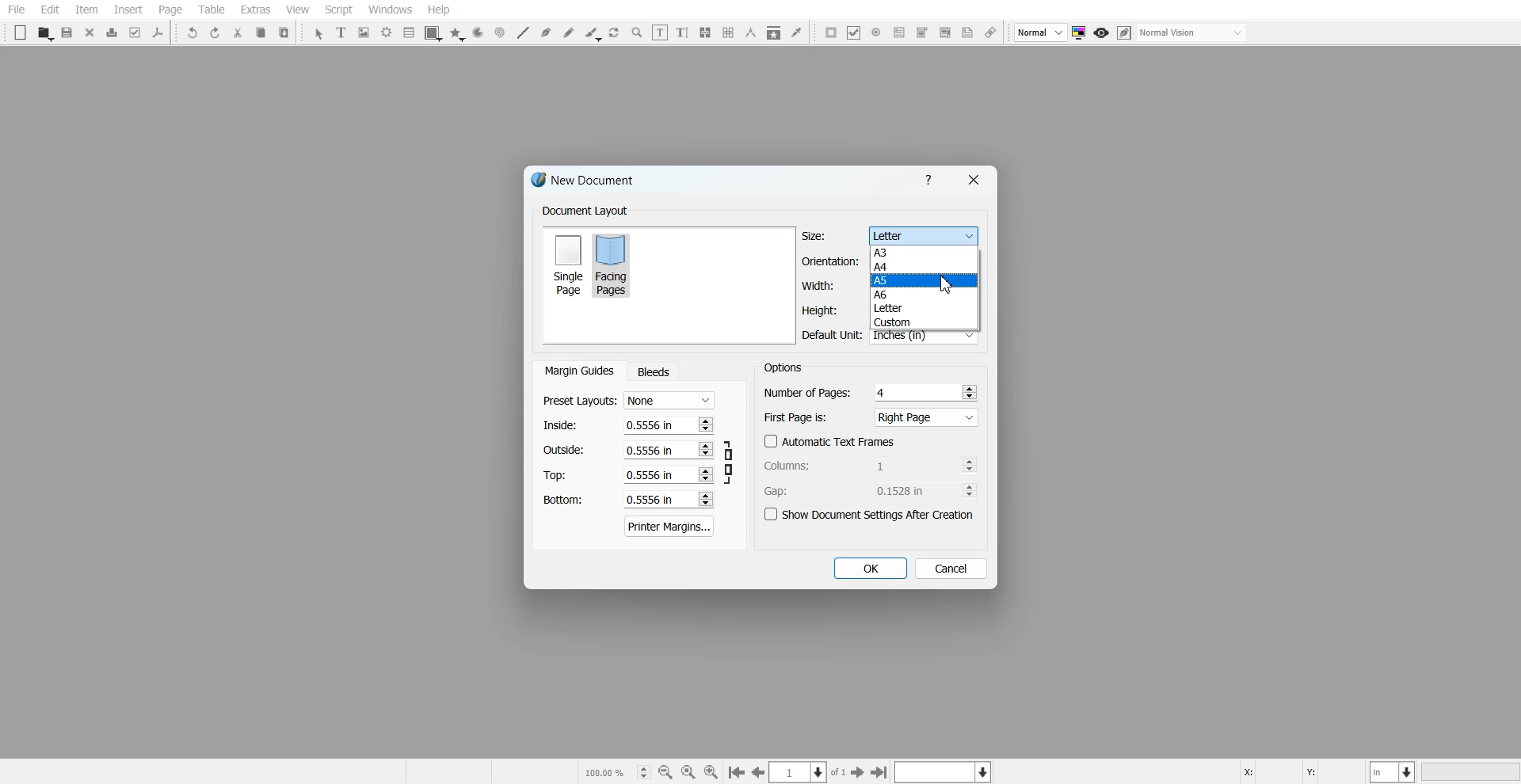 Image resolution: width=1521 pixels, height=784 pixels. What do you see at coordinates (86, 10) in the screenshot?
I see `Item` at bounding box center [86, 10].